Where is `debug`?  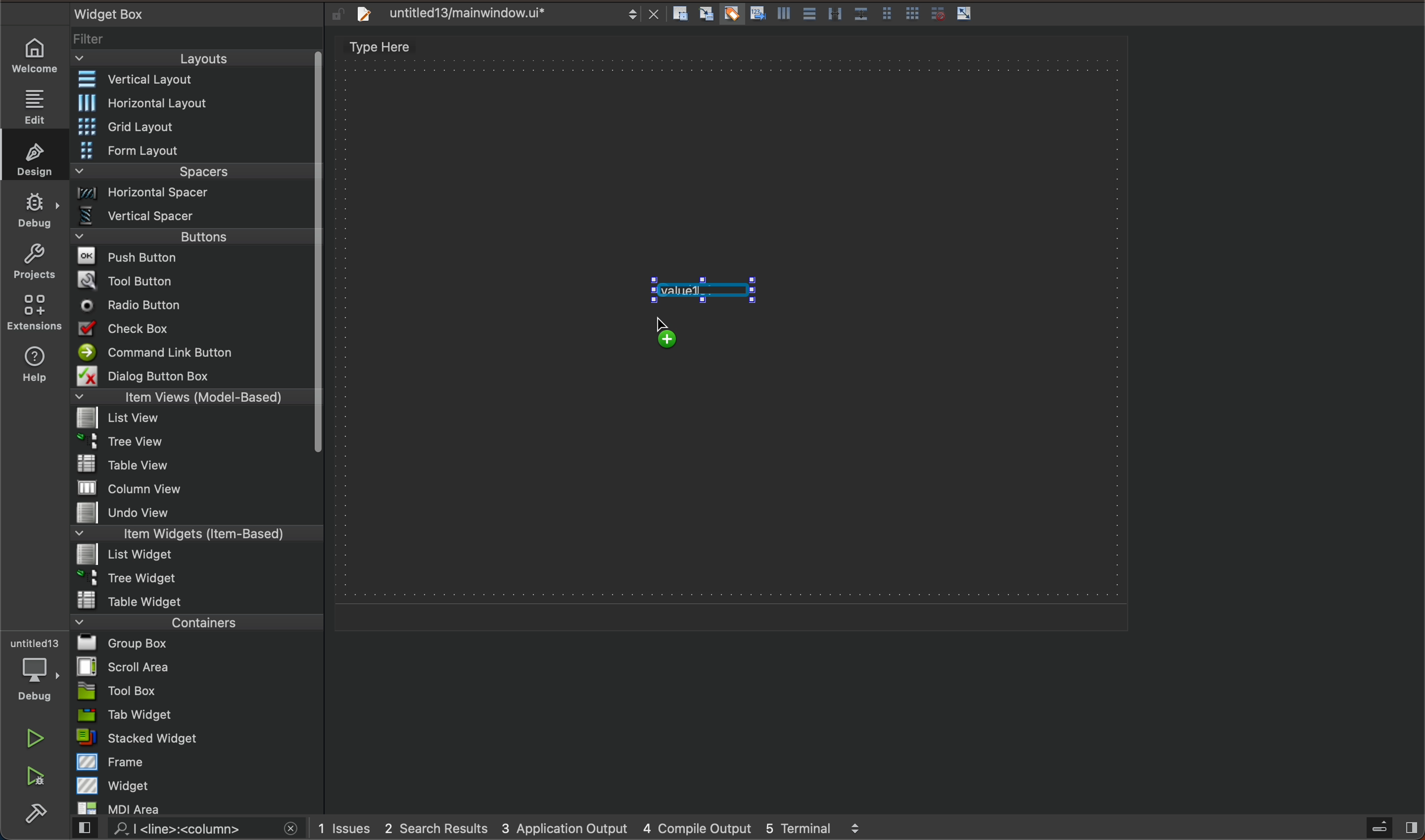
debug is located at coordinates (41, 671).